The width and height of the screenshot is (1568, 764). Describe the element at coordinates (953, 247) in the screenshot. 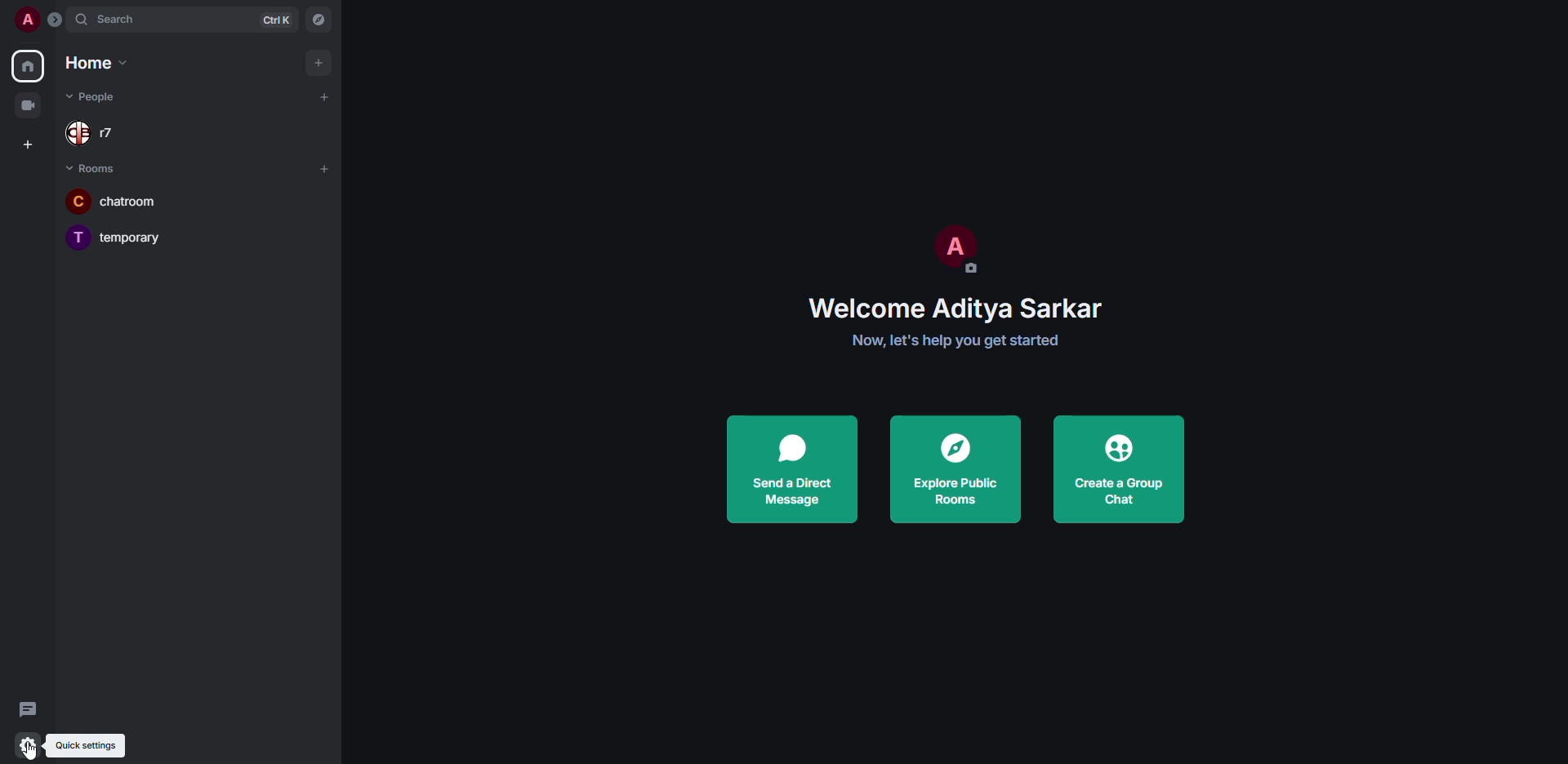

I see `profile pic` at that location.